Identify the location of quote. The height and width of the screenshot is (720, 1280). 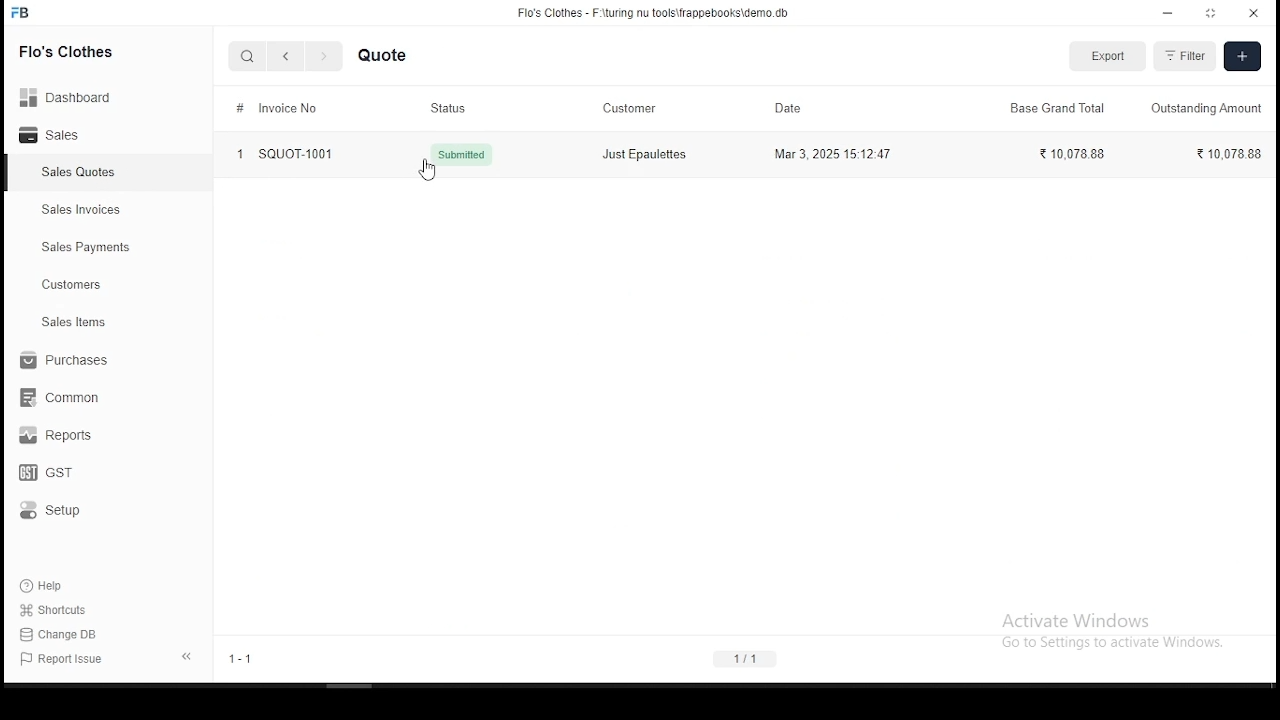
(407, 56).